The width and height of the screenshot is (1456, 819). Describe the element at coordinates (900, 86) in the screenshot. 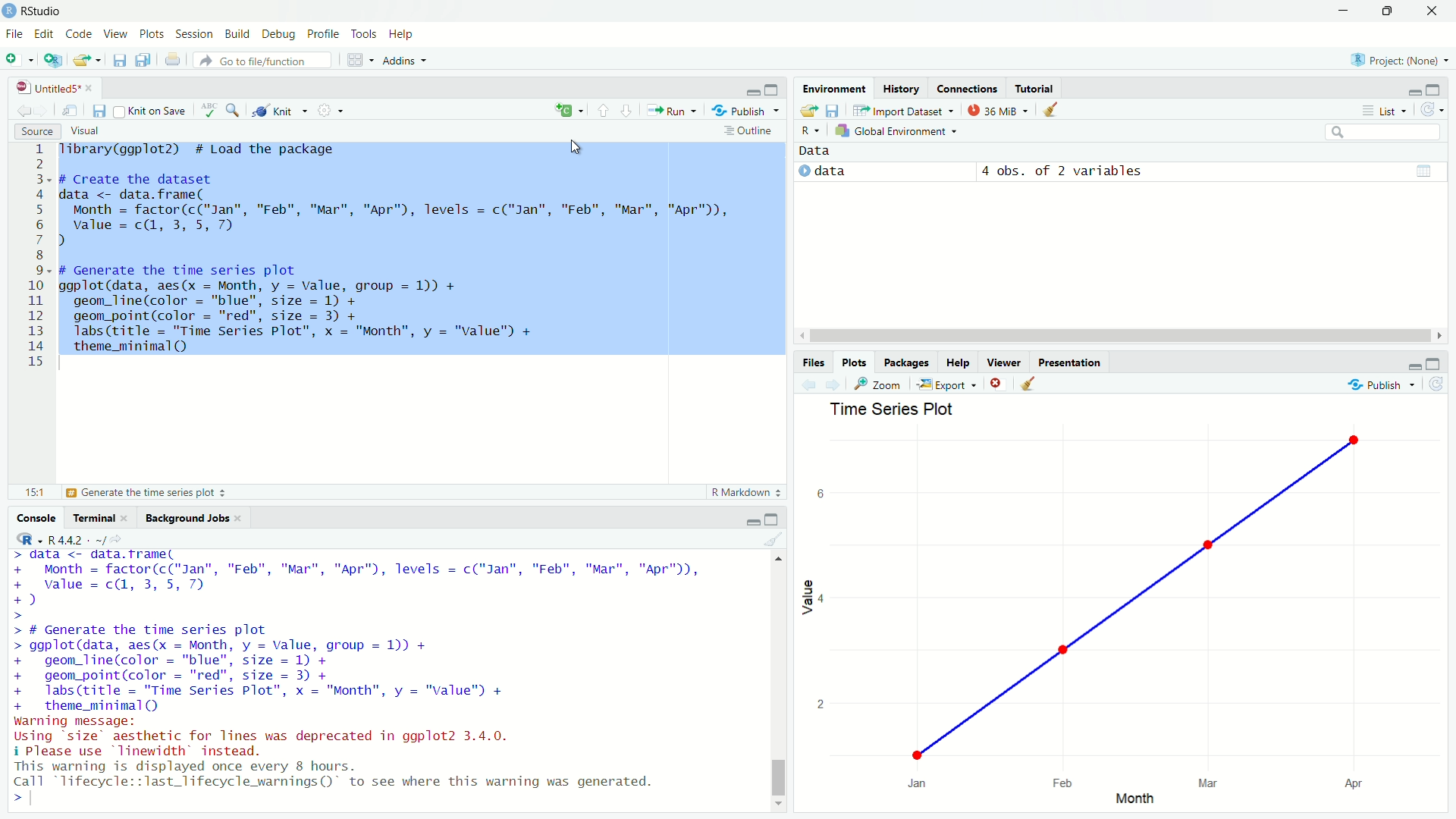

I see `history` at that location.